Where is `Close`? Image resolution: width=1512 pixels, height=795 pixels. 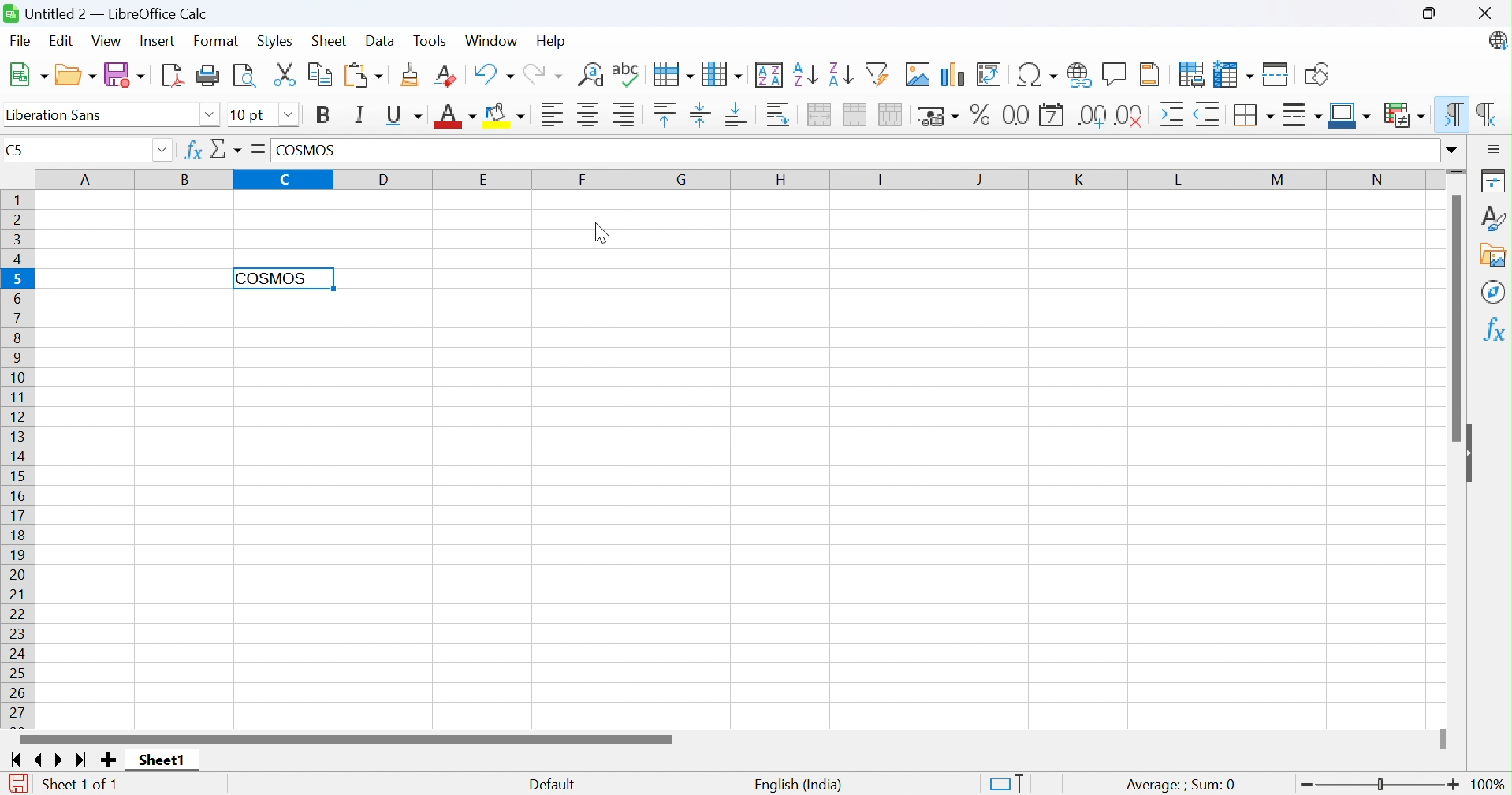 Close is located at coordinates (1487, 13).